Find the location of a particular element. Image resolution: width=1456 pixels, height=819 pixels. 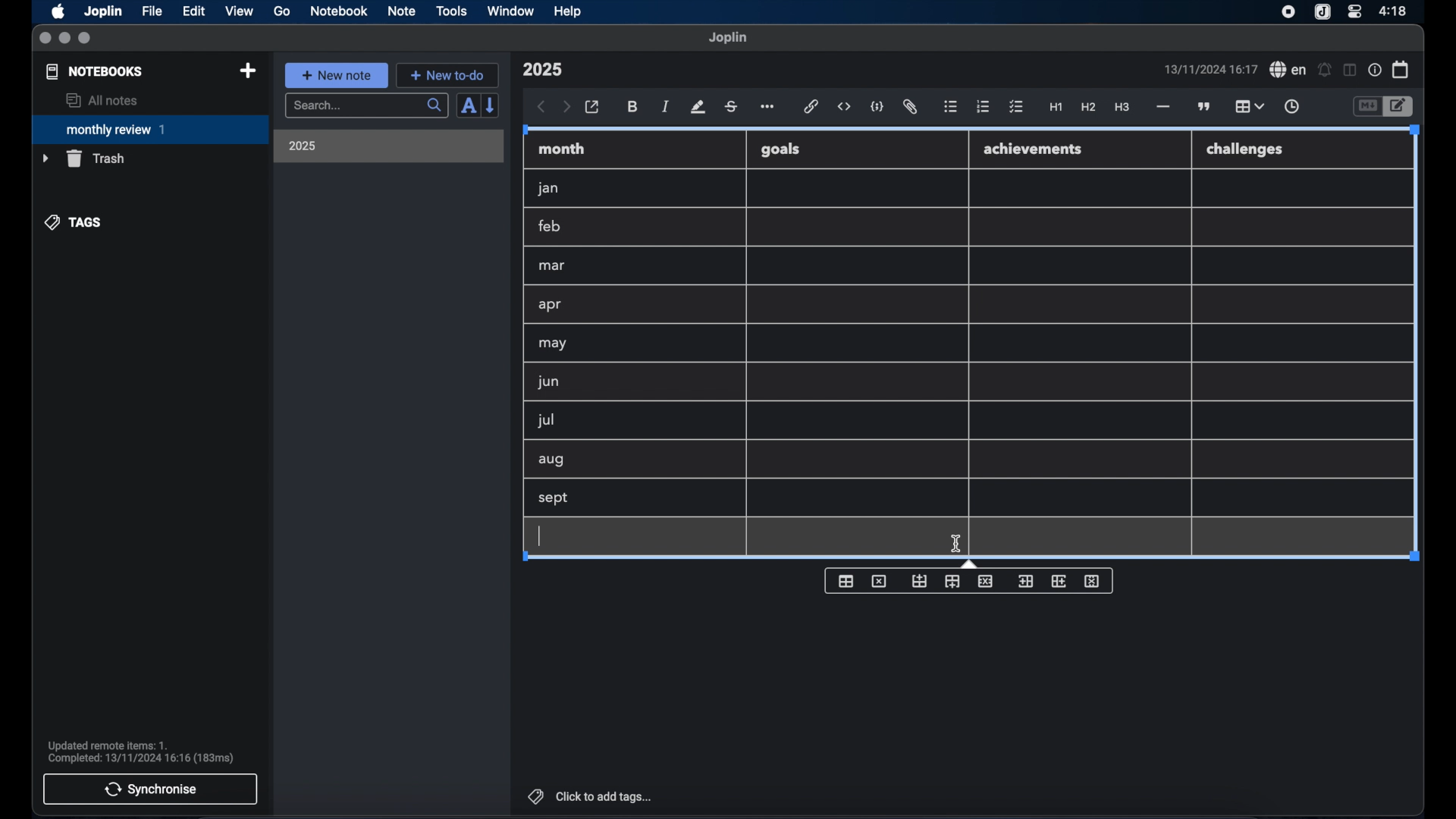

jul is located at coordinates (544, 421).